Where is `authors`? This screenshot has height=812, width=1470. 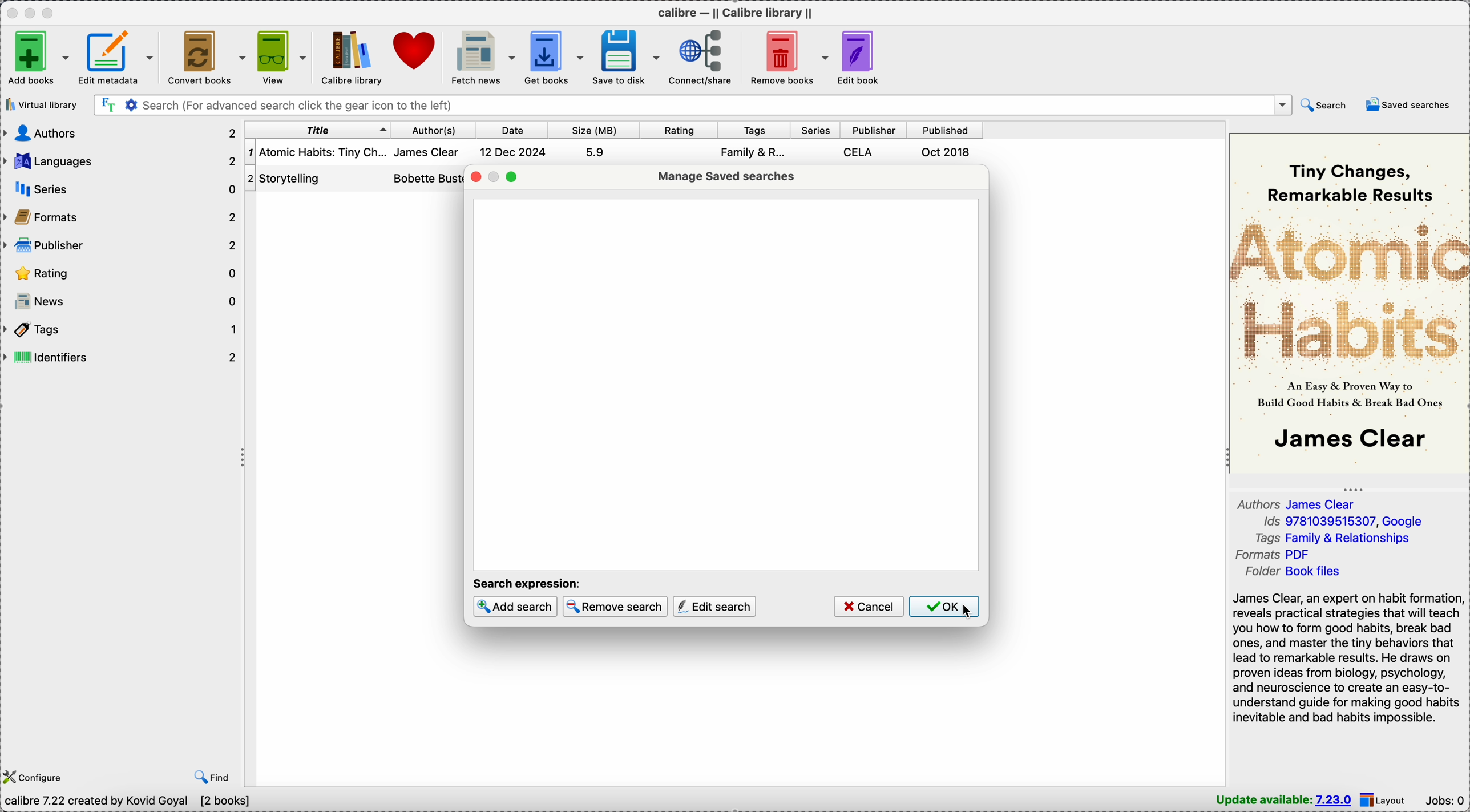 authors is located at coordinates (426, 167).